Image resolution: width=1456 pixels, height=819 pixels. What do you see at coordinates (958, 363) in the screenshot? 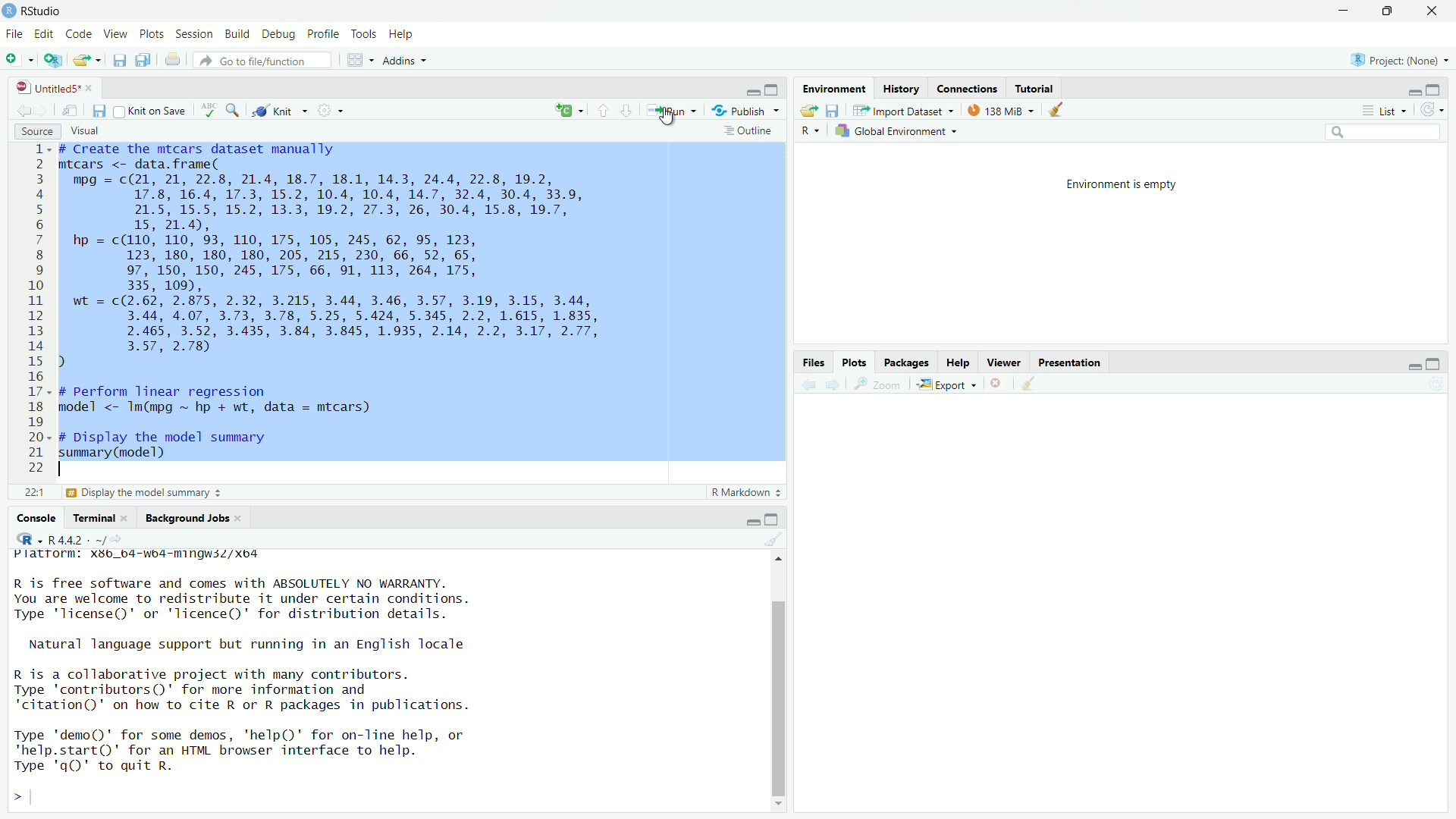
I see `Help` at bounding box center [958, 363].